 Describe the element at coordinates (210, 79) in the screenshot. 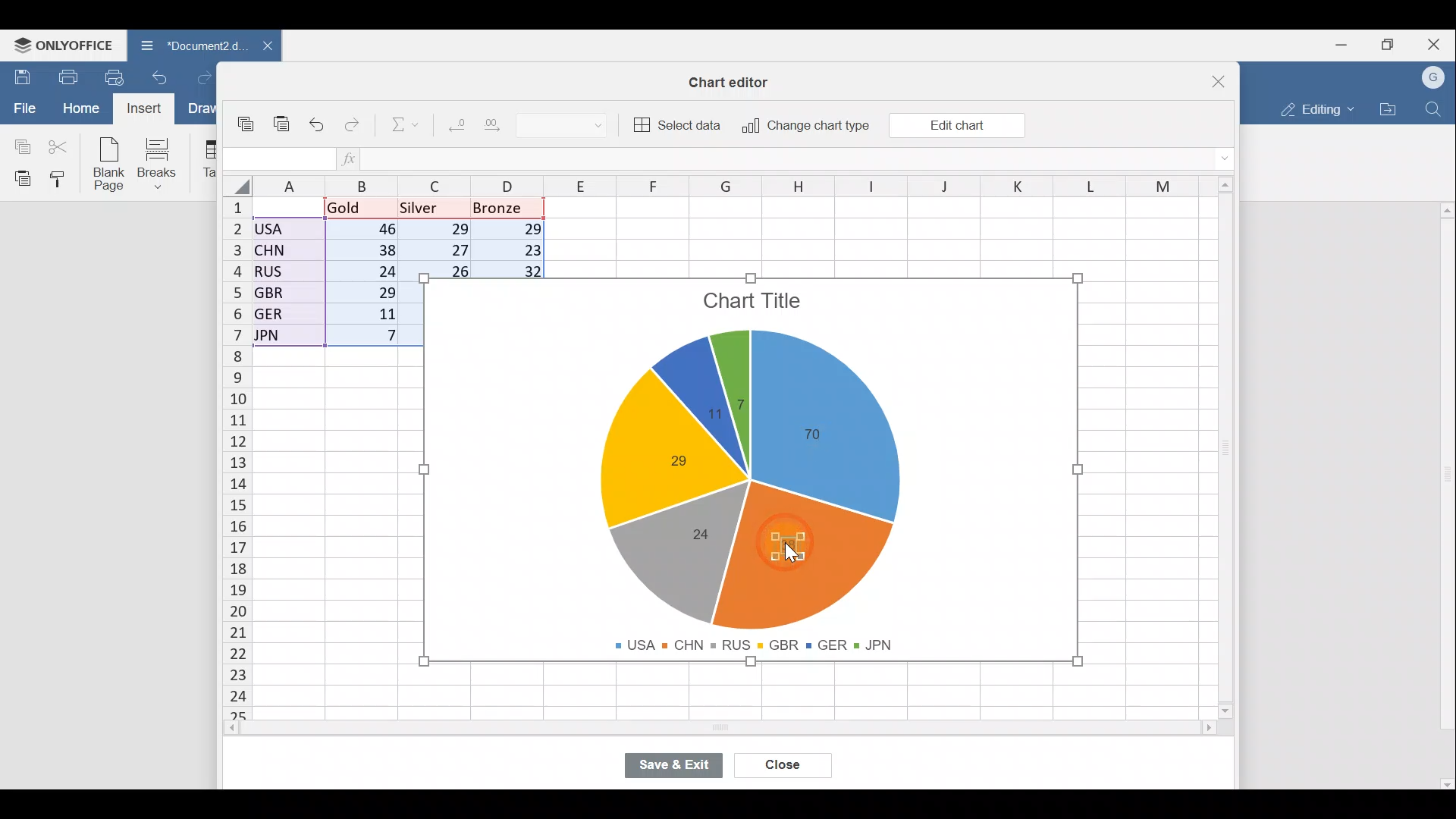

I see `Redo` at that location.